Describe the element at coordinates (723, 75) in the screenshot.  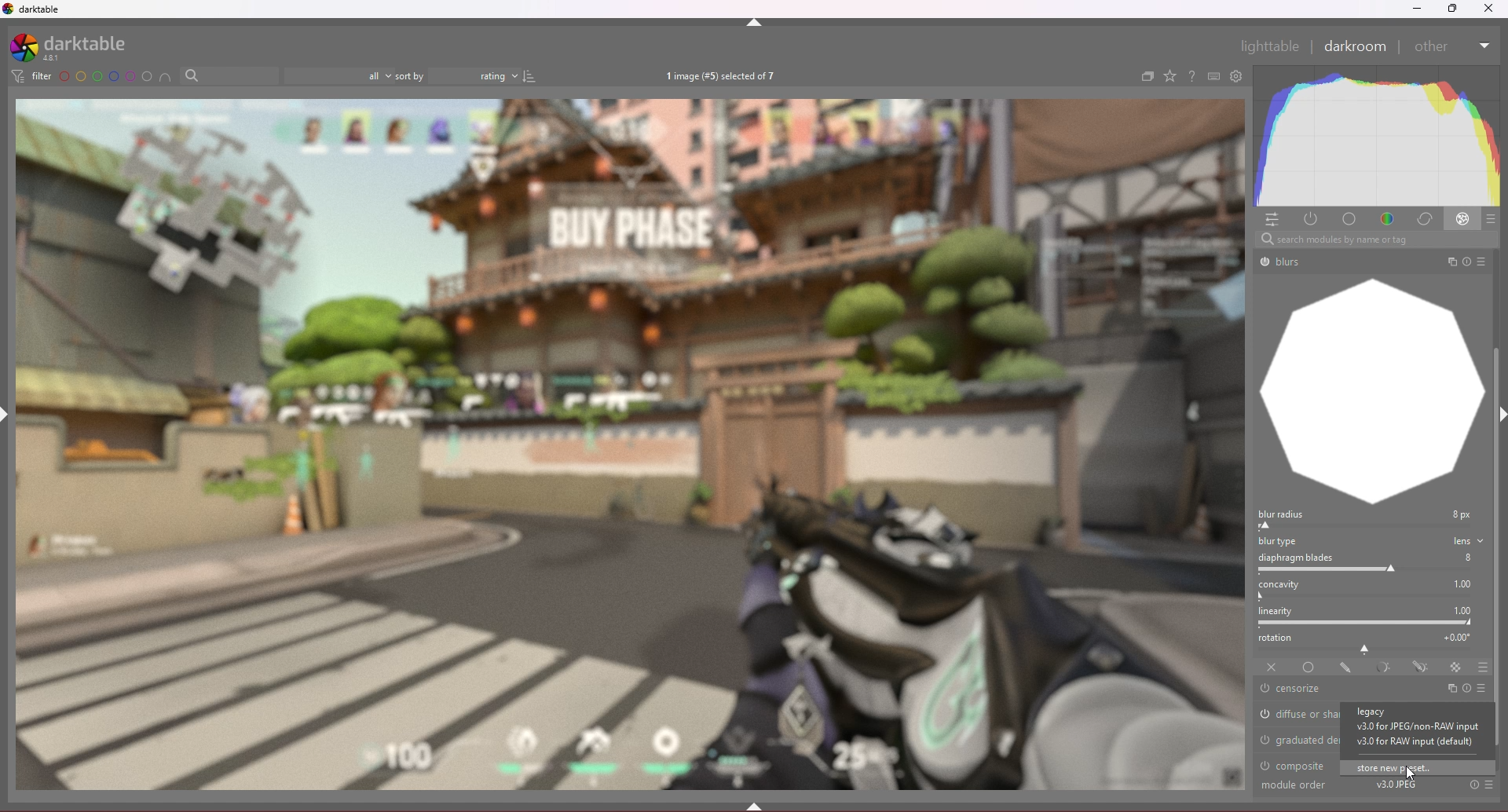
I see `images selected` at that location.